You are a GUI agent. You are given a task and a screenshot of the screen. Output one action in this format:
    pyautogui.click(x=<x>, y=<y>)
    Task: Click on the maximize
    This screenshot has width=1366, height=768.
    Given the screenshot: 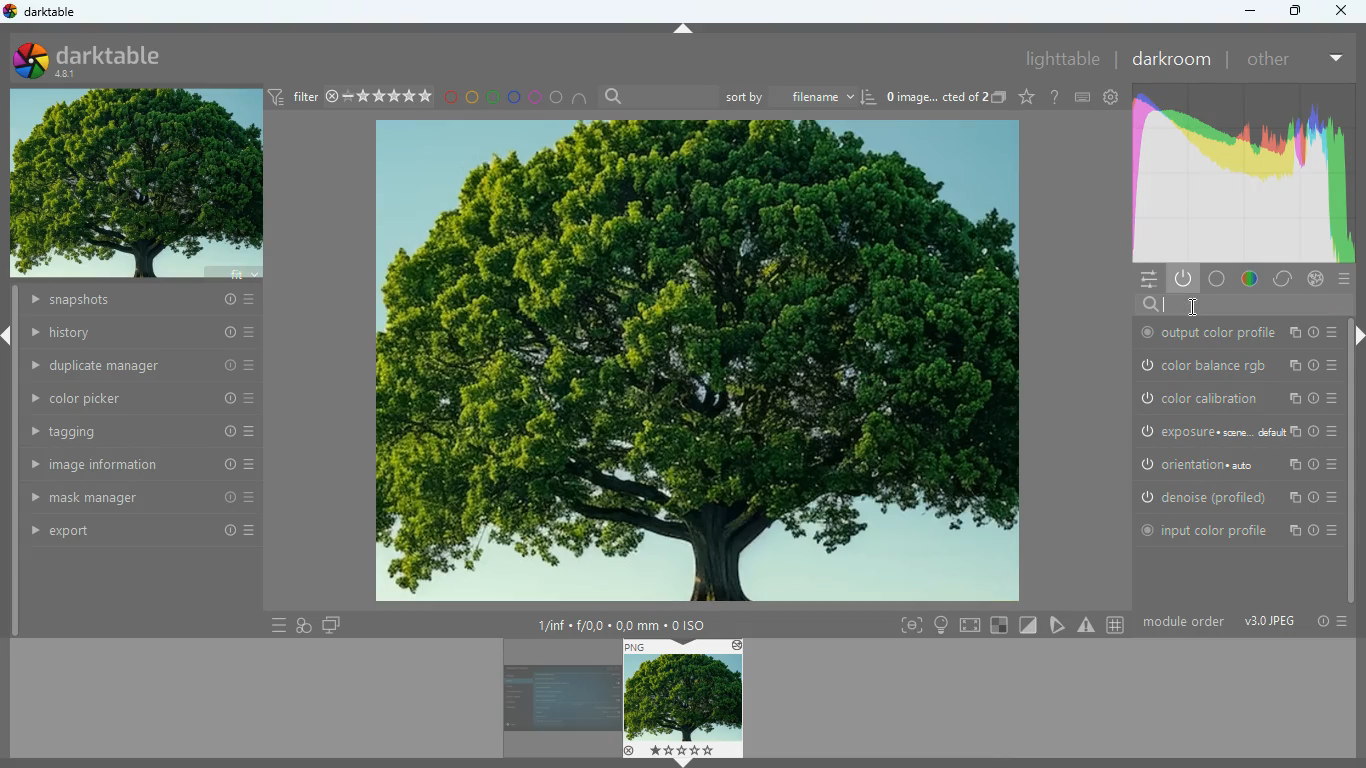 What is the action you would take?
    pyautogui.click(x=1293, y=11)
    